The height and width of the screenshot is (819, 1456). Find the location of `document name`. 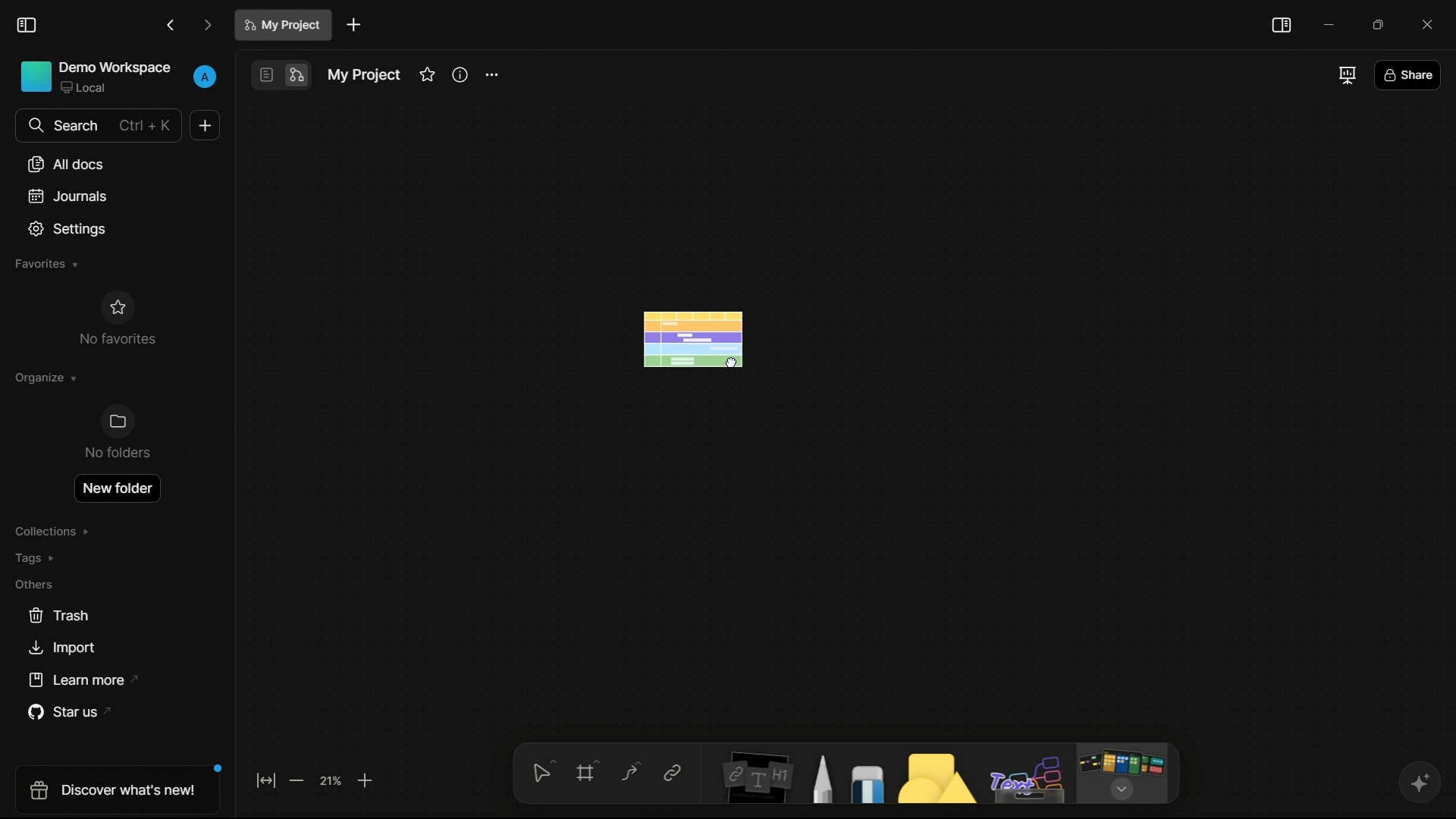

document name is located at coordinates (283, 25).